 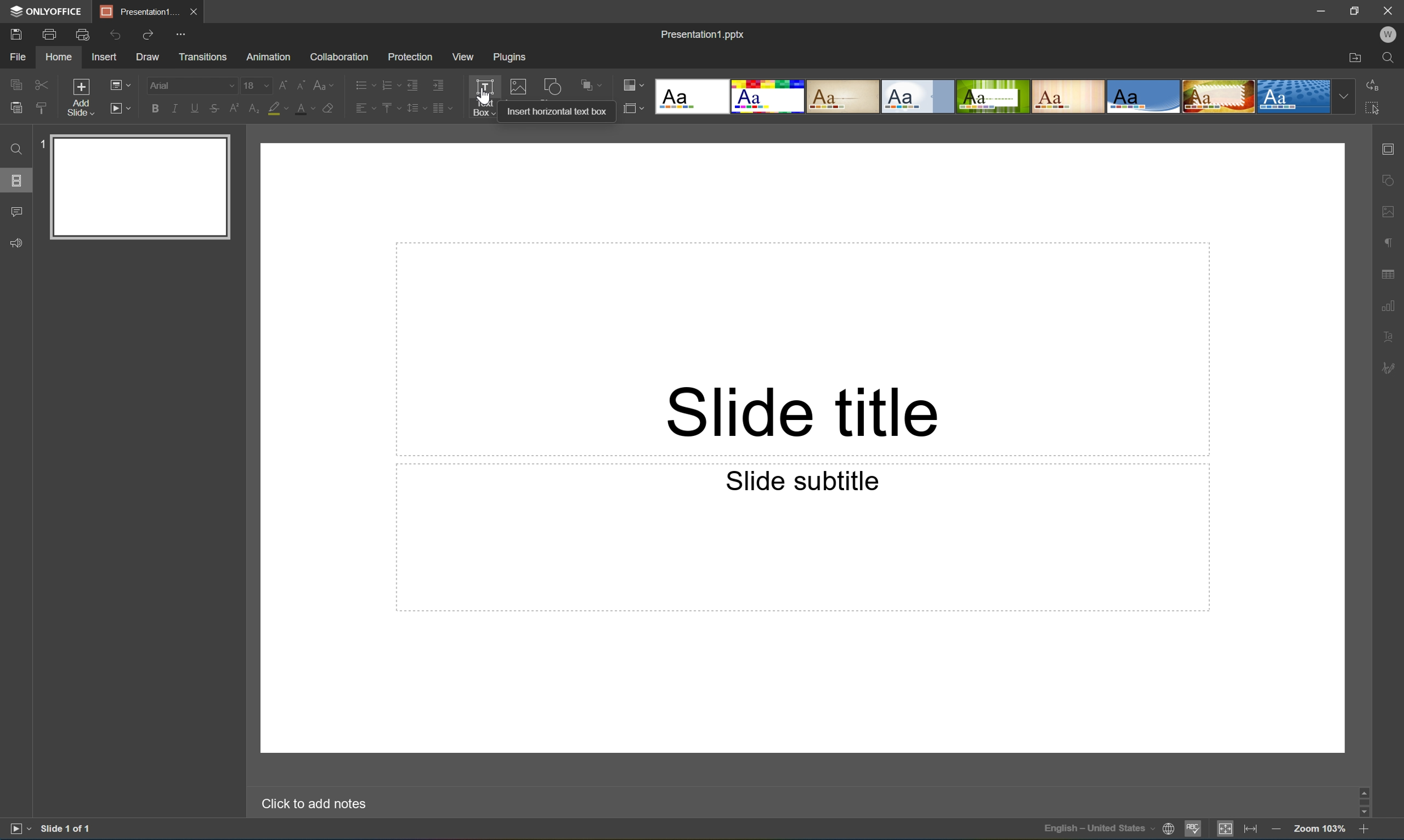 What do you see at coordinates (1391, 241) in the screenshot?
I see `paragraph settings` at bounding box center [1391, 241].